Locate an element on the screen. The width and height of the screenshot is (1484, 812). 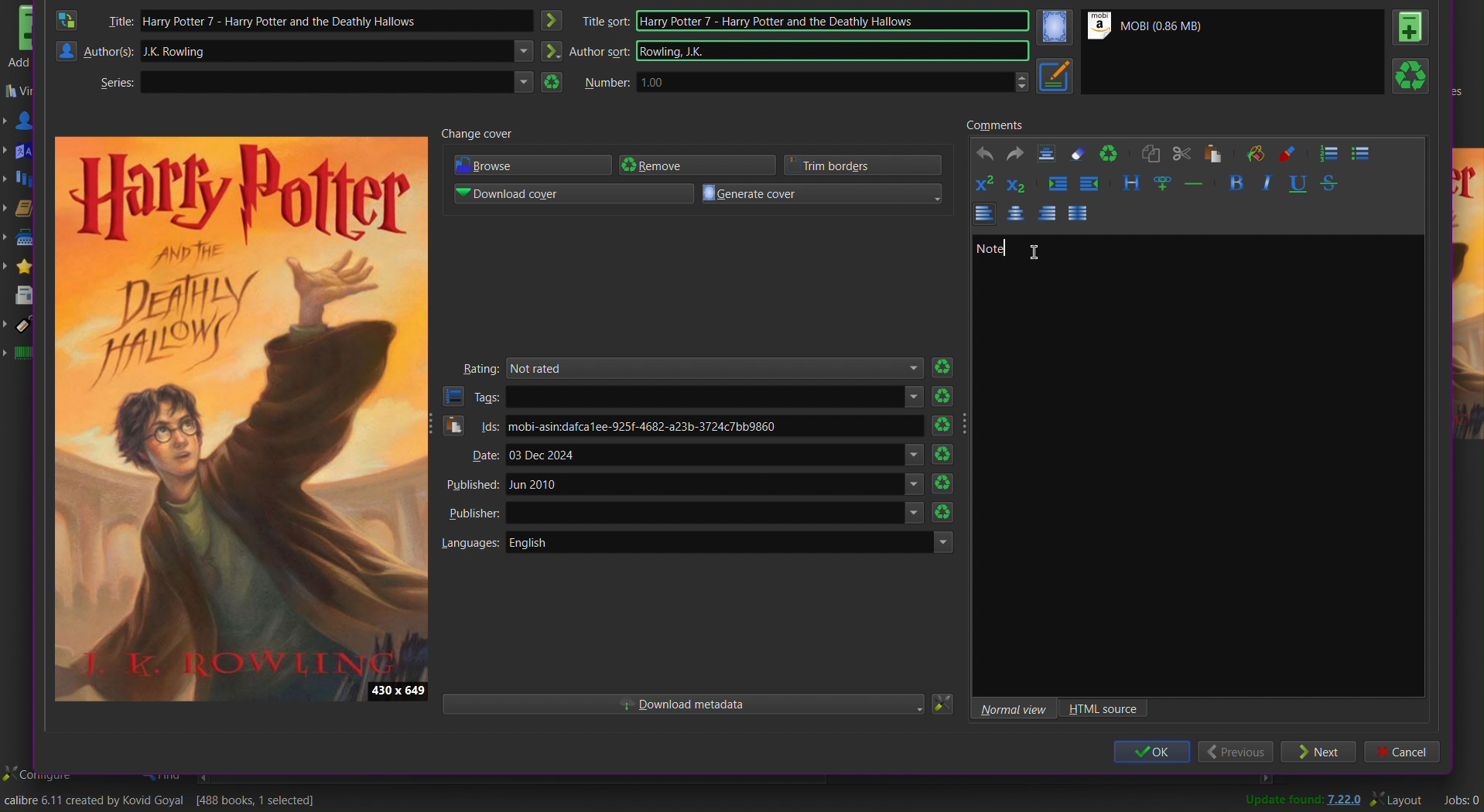
Identifiers is located at coordinates (26, 355).